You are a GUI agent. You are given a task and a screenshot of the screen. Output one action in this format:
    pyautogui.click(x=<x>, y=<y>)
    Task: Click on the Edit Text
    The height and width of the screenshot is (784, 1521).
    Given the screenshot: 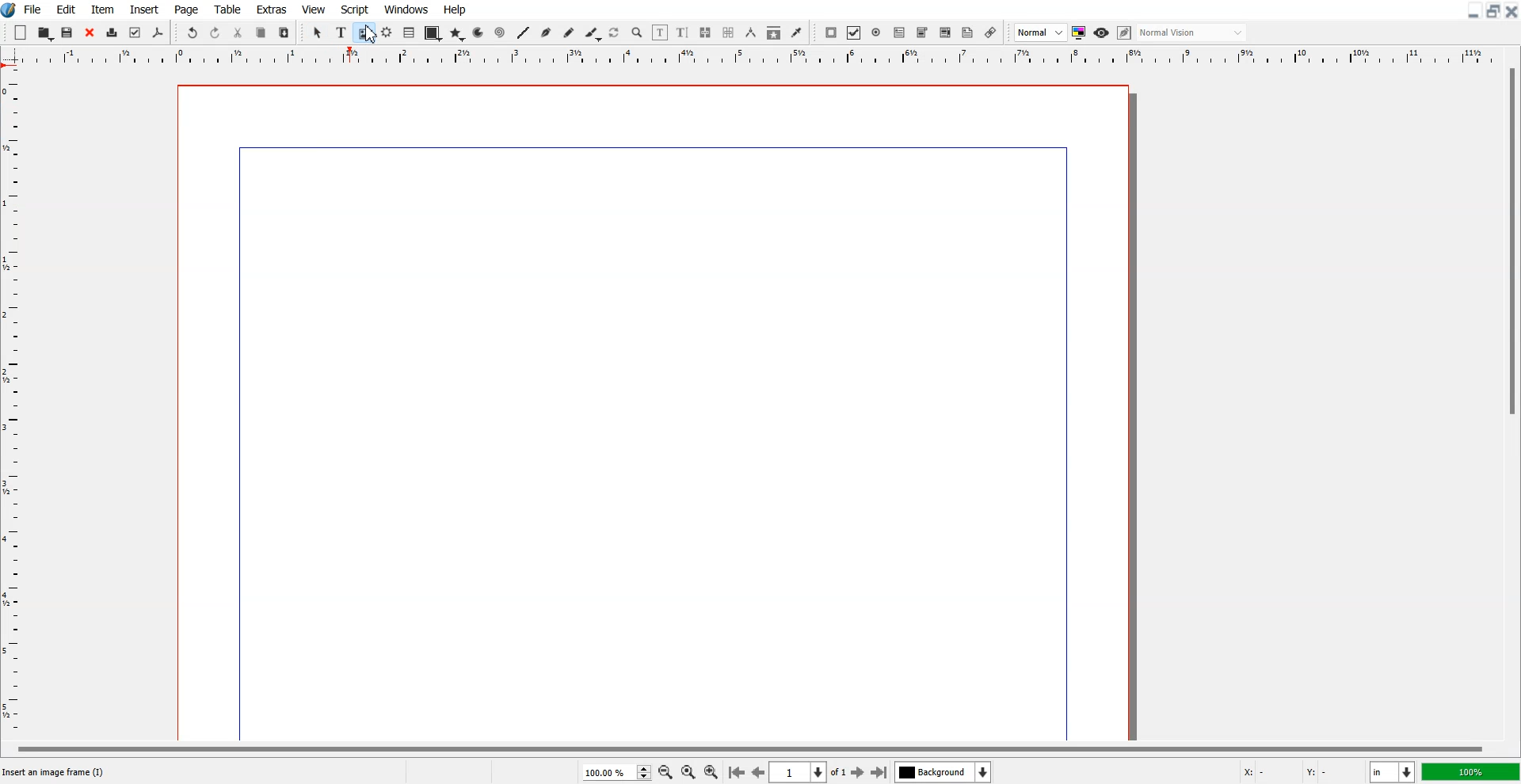 What is the action you would take?
    pyautogui.click(x=683, y=32)
    